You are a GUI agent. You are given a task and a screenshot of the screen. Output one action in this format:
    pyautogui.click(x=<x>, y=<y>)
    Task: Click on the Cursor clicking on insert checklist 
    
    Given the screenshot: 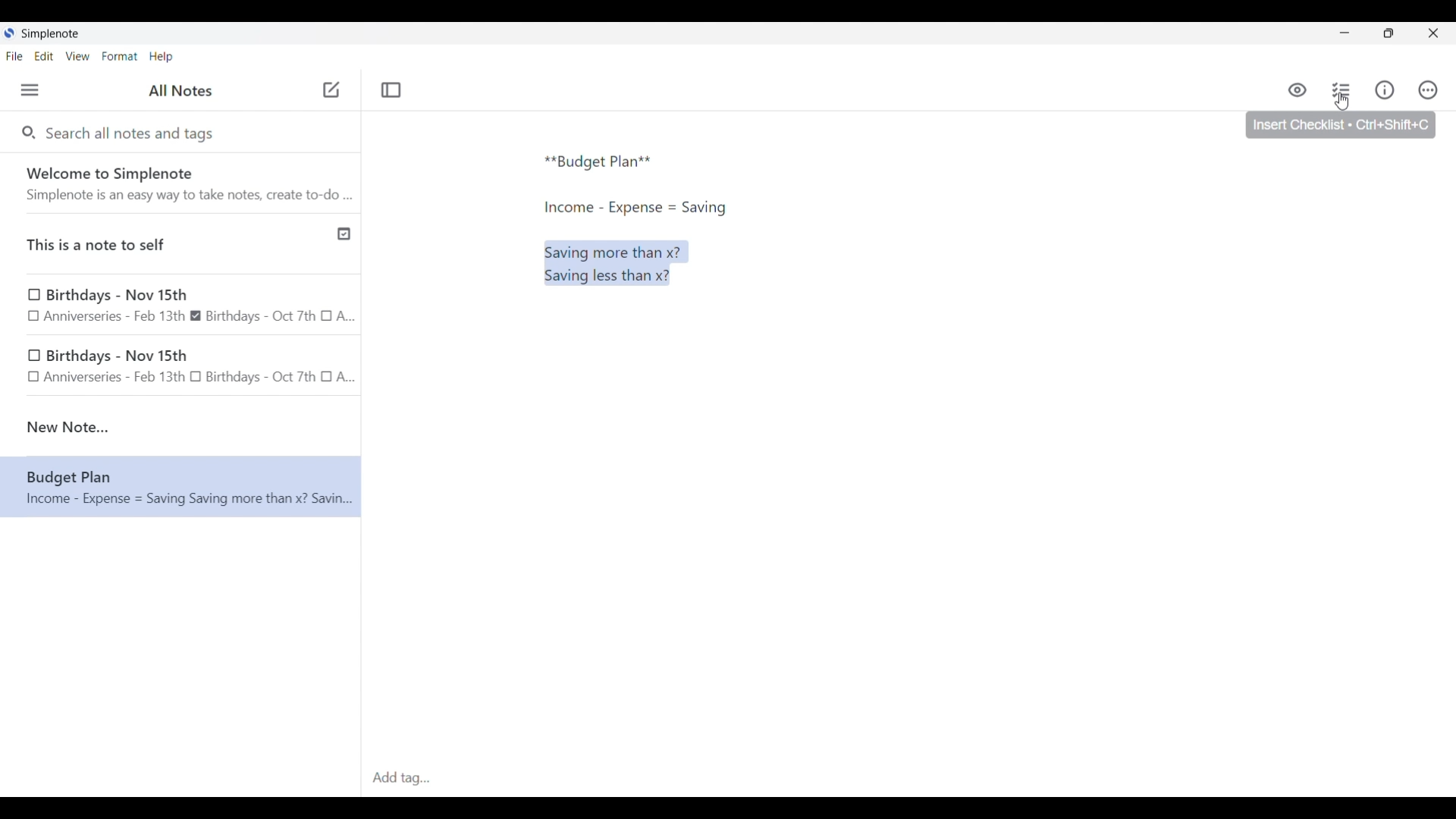 What is the action you would take?
    pyautogui.click(x=1341, y=102)
    